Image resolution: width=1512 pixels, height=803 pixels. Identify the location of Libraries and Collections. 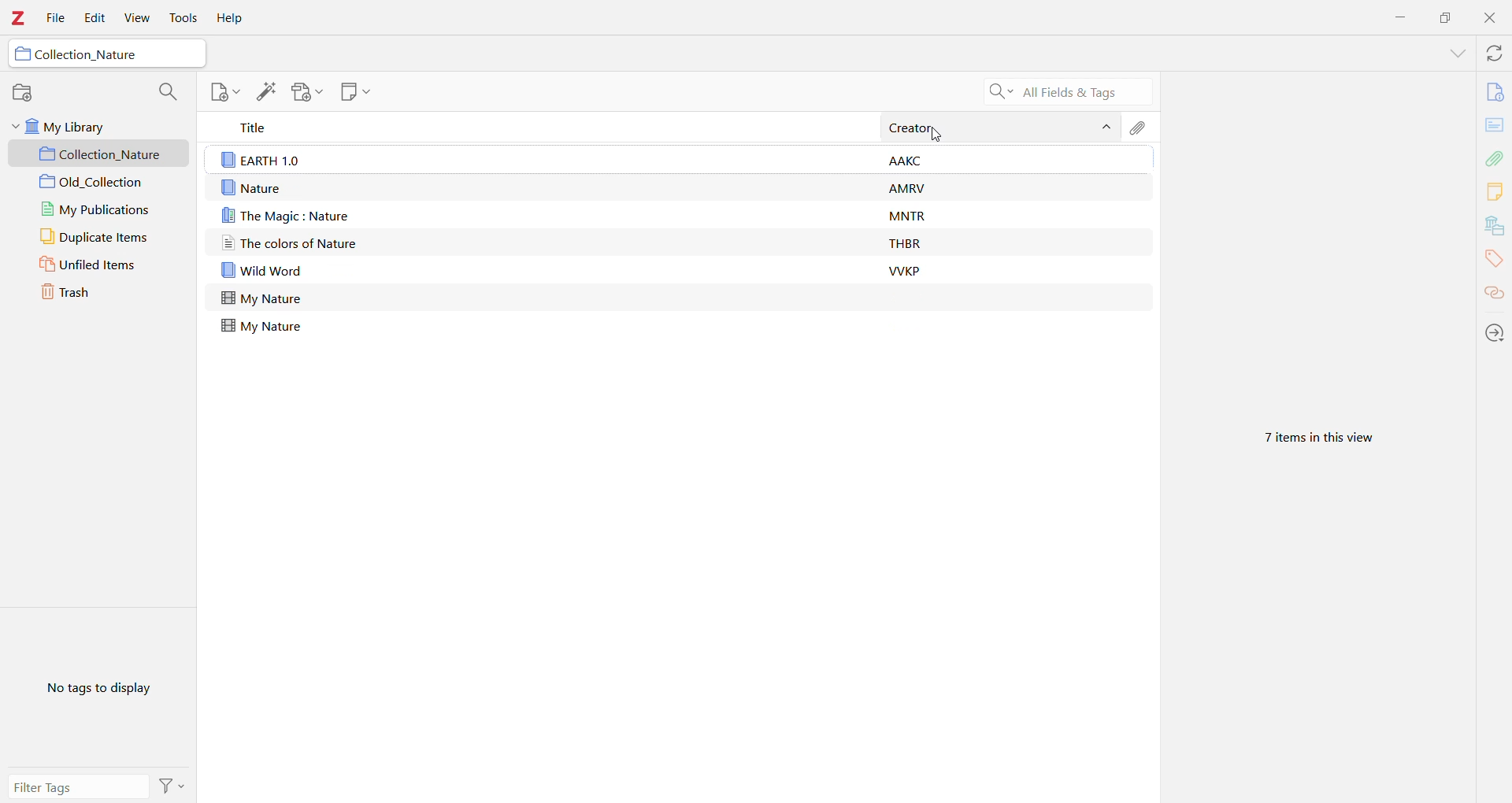
(1495, 225).